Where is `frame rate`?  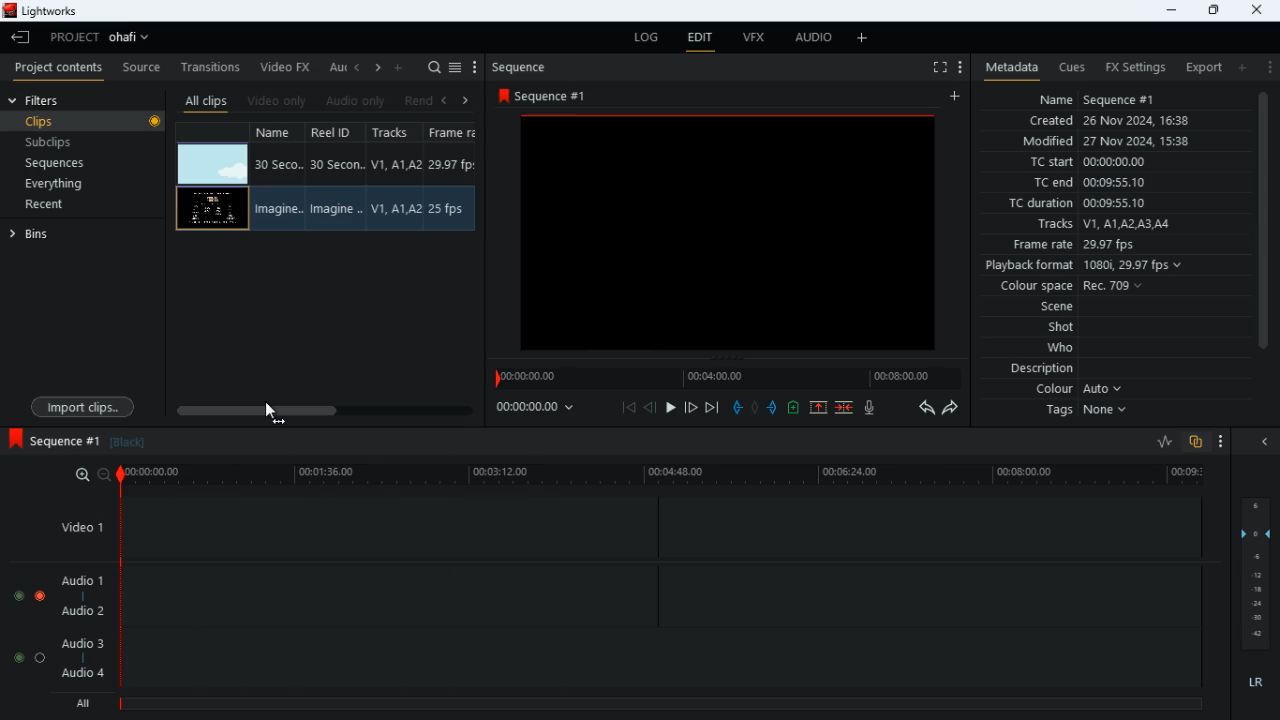 frame rate is located at coordinates (1074, 246).